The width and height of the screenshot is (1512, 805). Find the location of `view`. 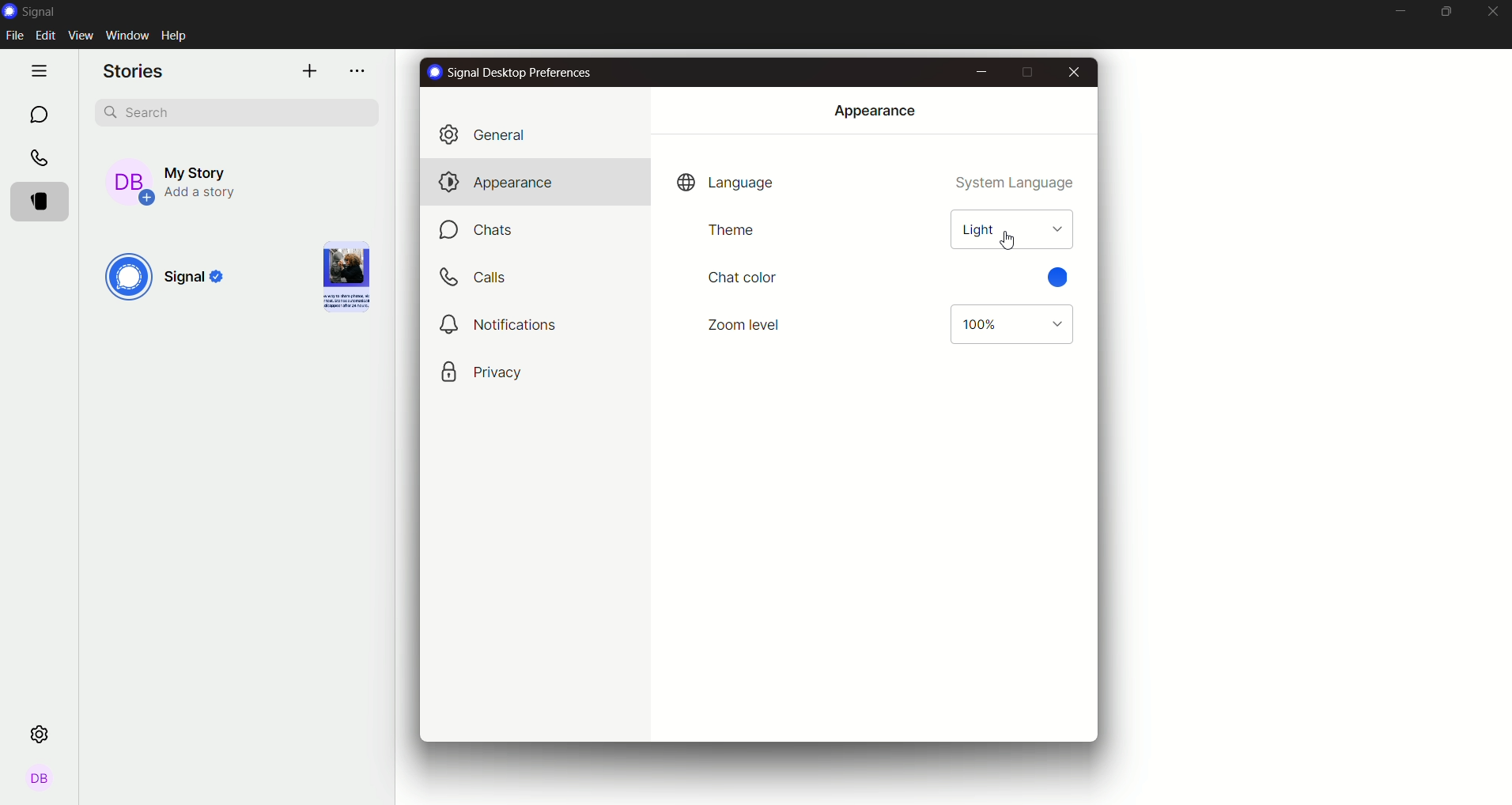

view is located at coordinates (81, 36).